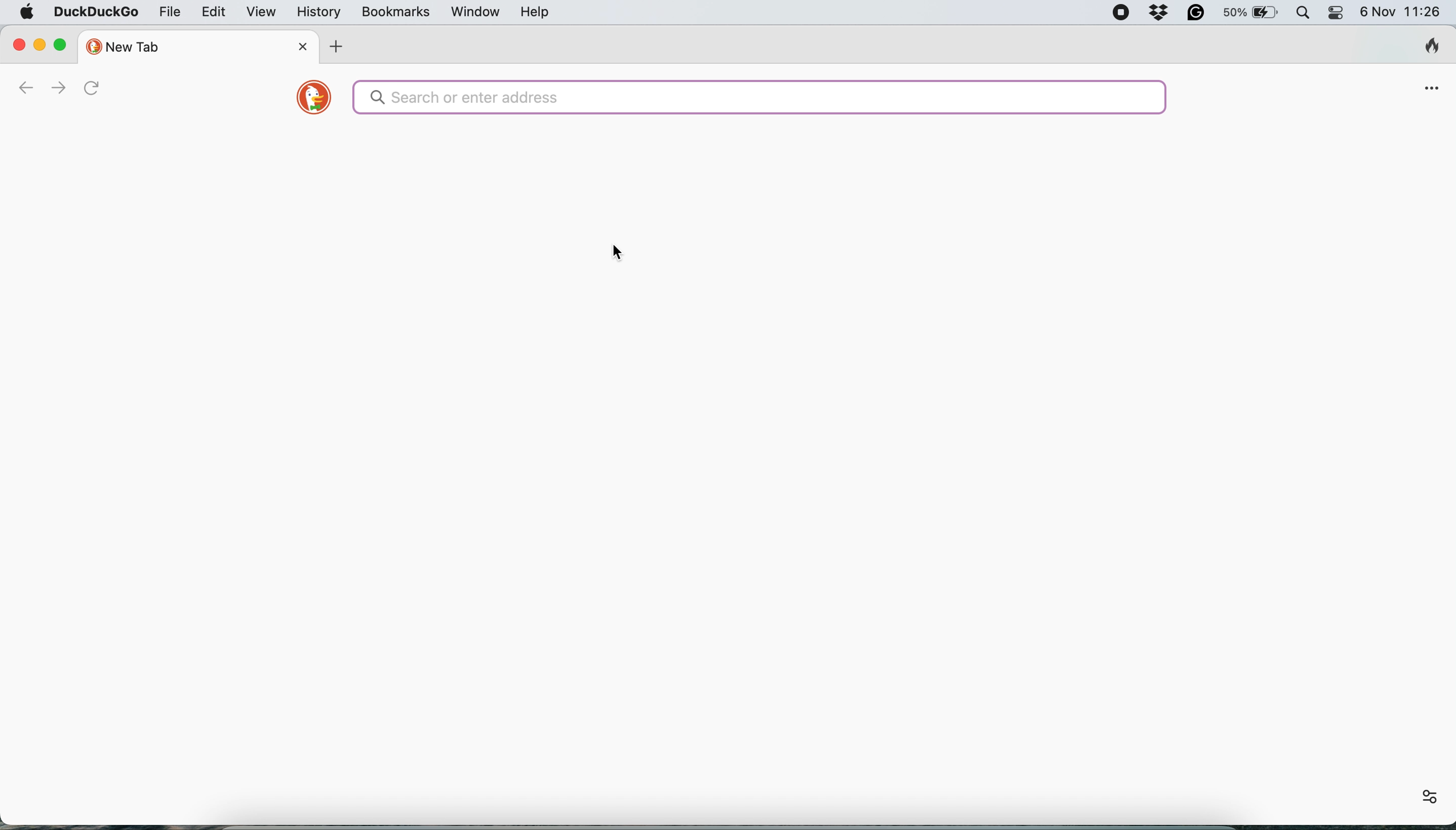  What do you see at coordinates (58, 88) in the screenshot?
I see `go forward` at bounding box center [58, 88].